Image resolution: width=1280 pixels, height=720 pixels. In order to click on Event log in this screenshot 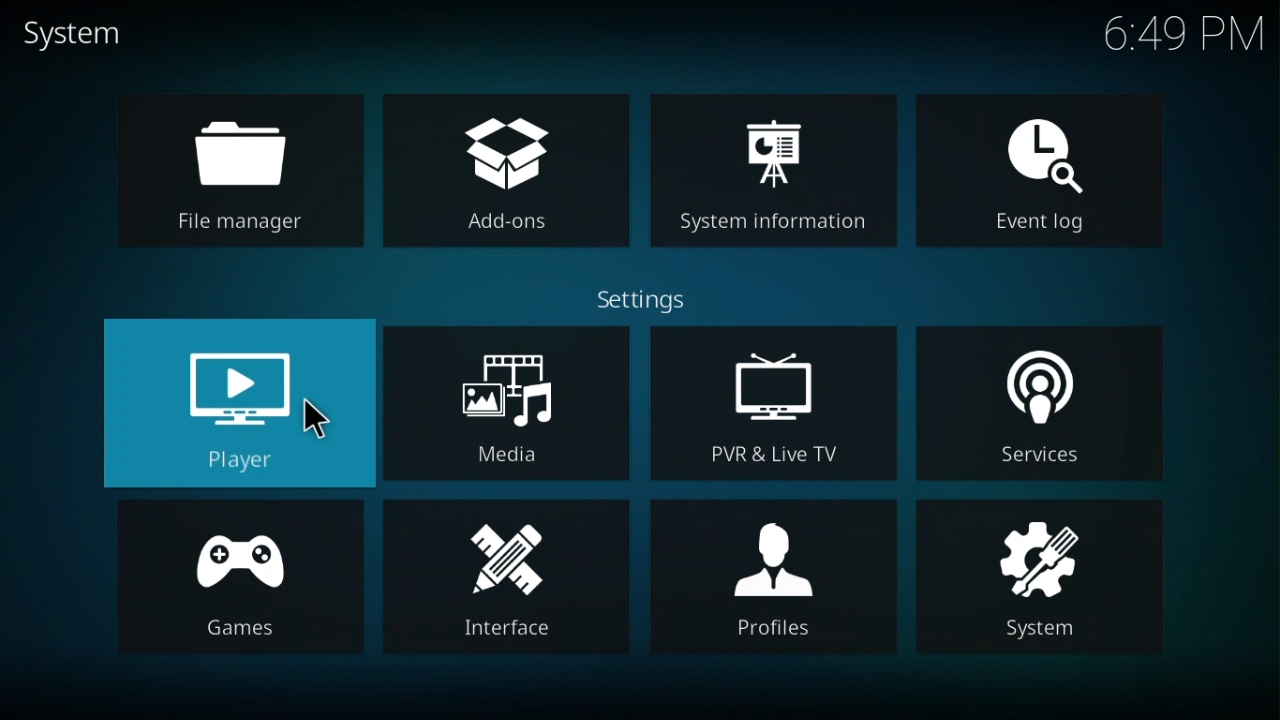, I will do `click(1041, 171)`.